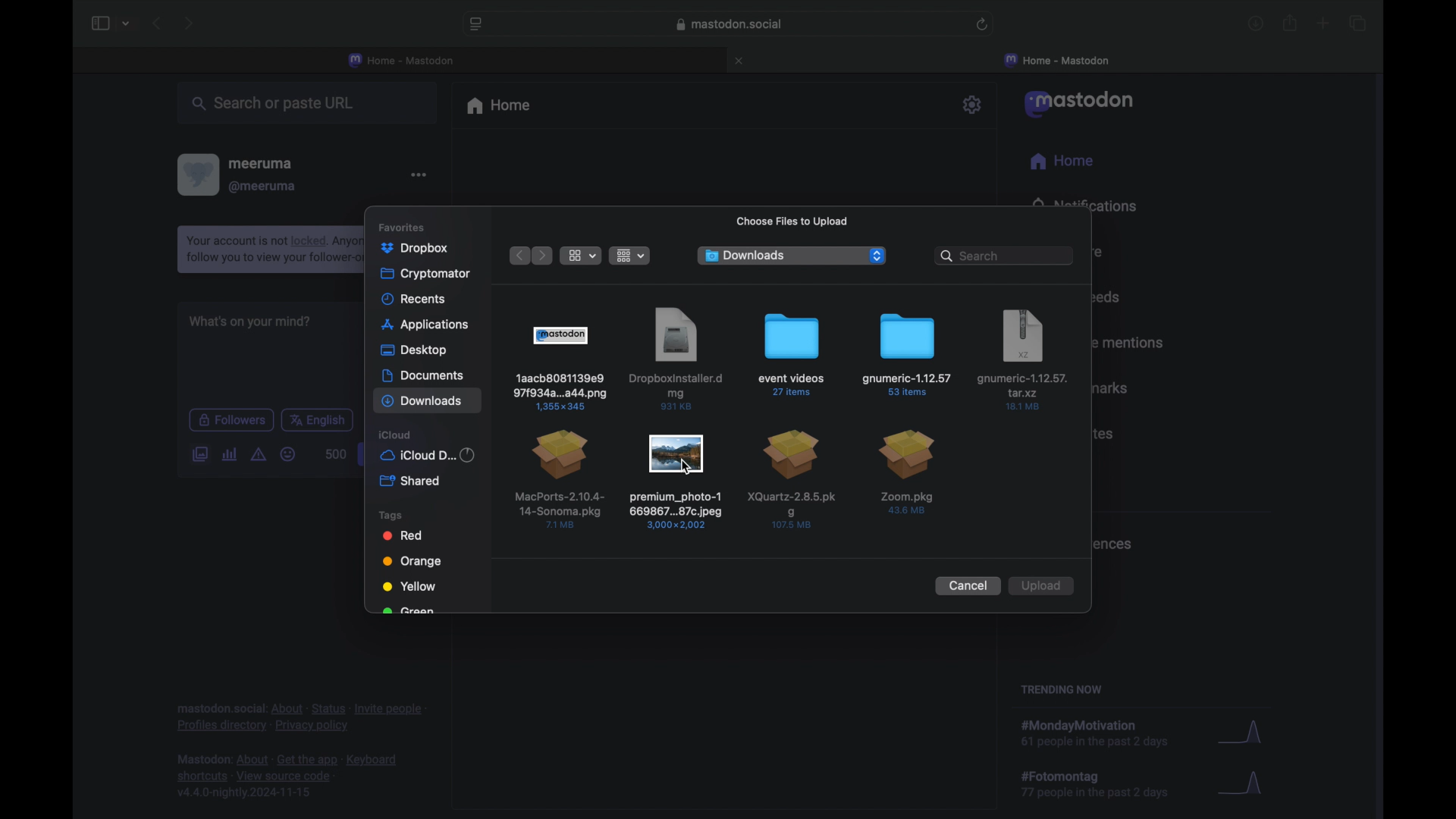 Image resolution: width=1456 pixels, height=819 pixels. I want to click on favorites, so click(416, 224).